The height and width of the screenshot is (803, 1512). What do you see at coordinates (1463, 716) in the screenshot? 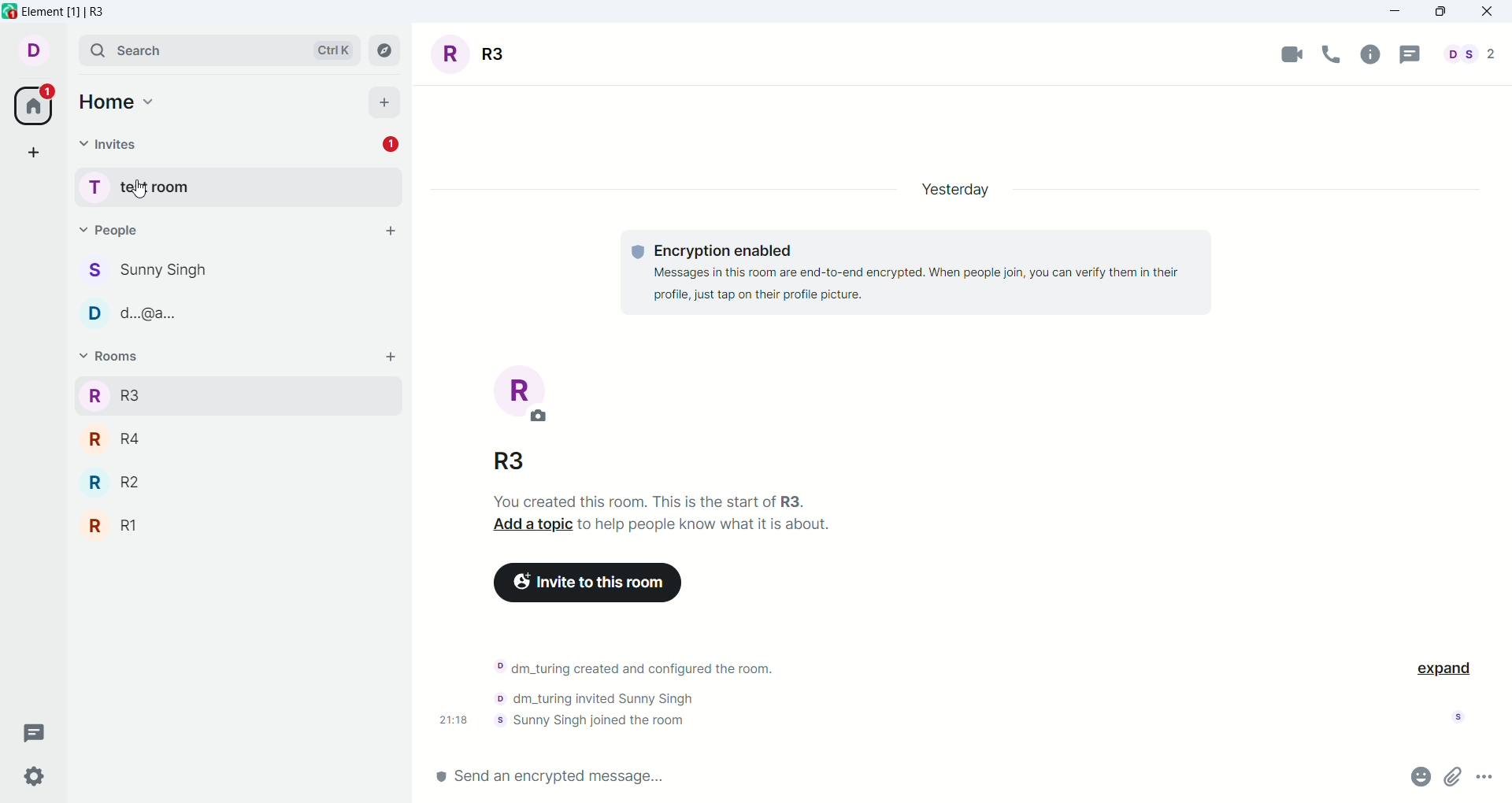
I see `account` at bounding box center [1463, 716].